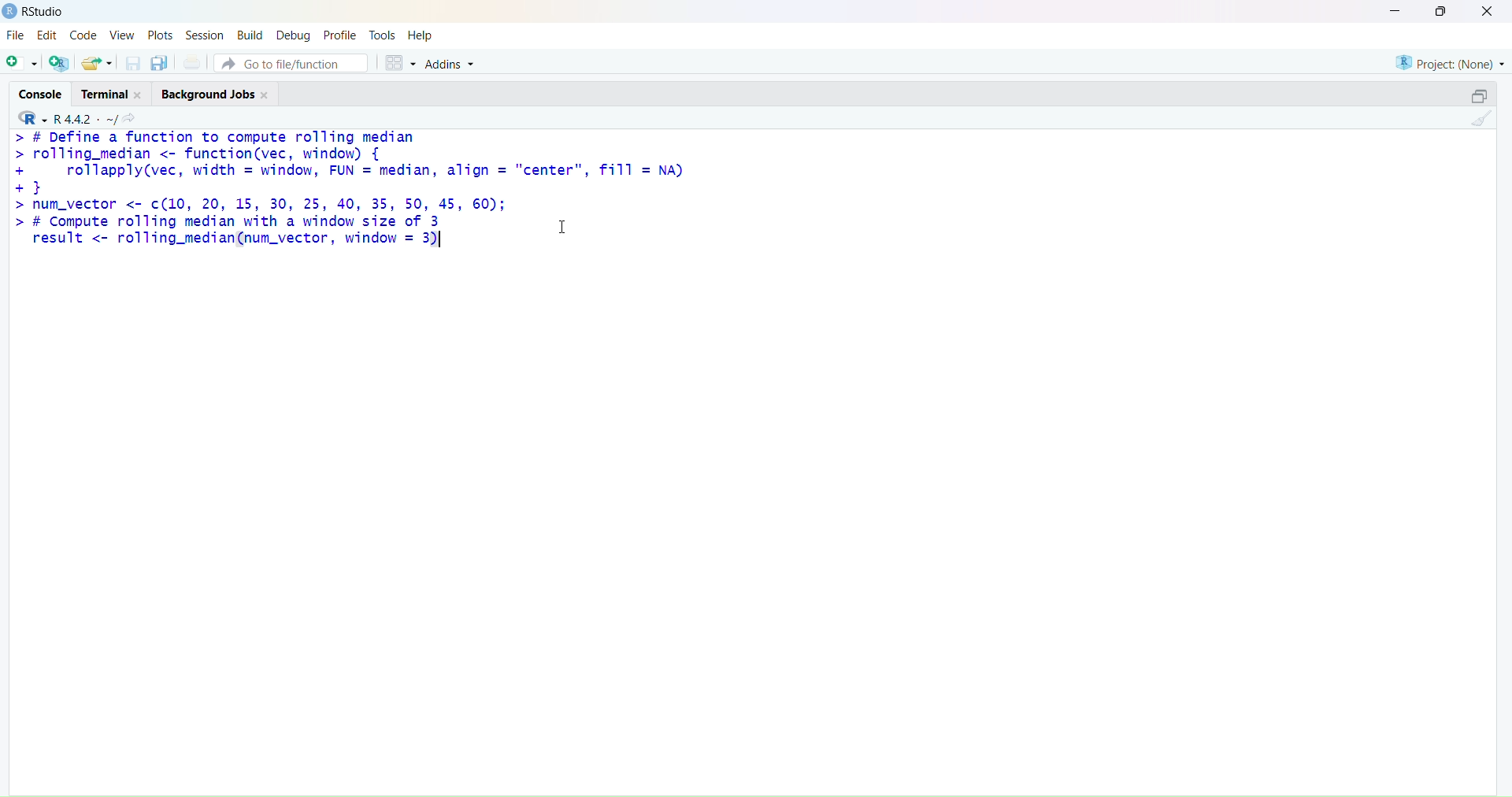  What do you see at coordinates (160, 63) in the screenshot?
I see `copy` at bounding box center [160, 63].